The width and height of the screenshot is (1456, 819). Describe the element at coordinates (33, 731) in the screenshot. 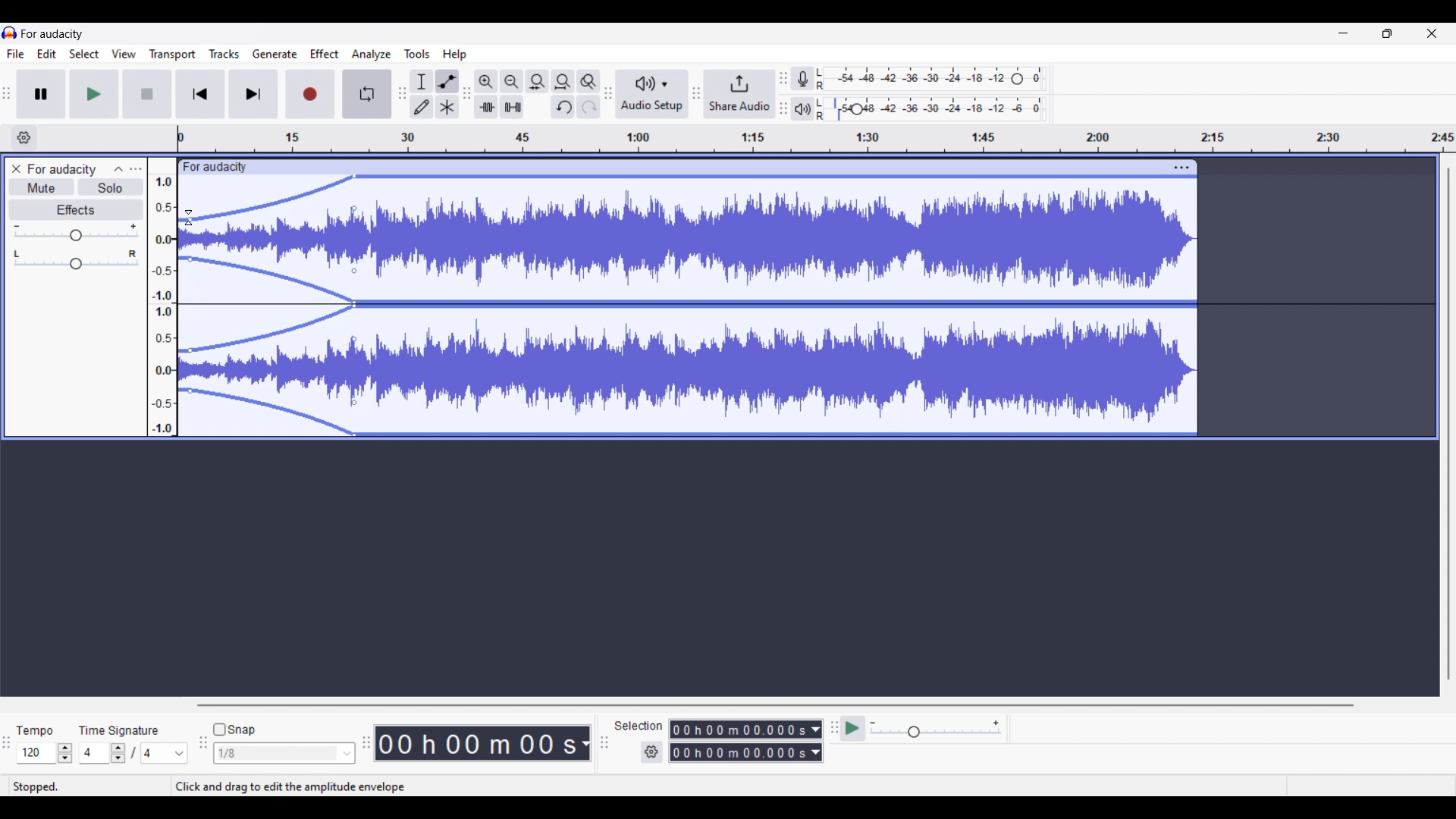

I see `tempo` at that location.